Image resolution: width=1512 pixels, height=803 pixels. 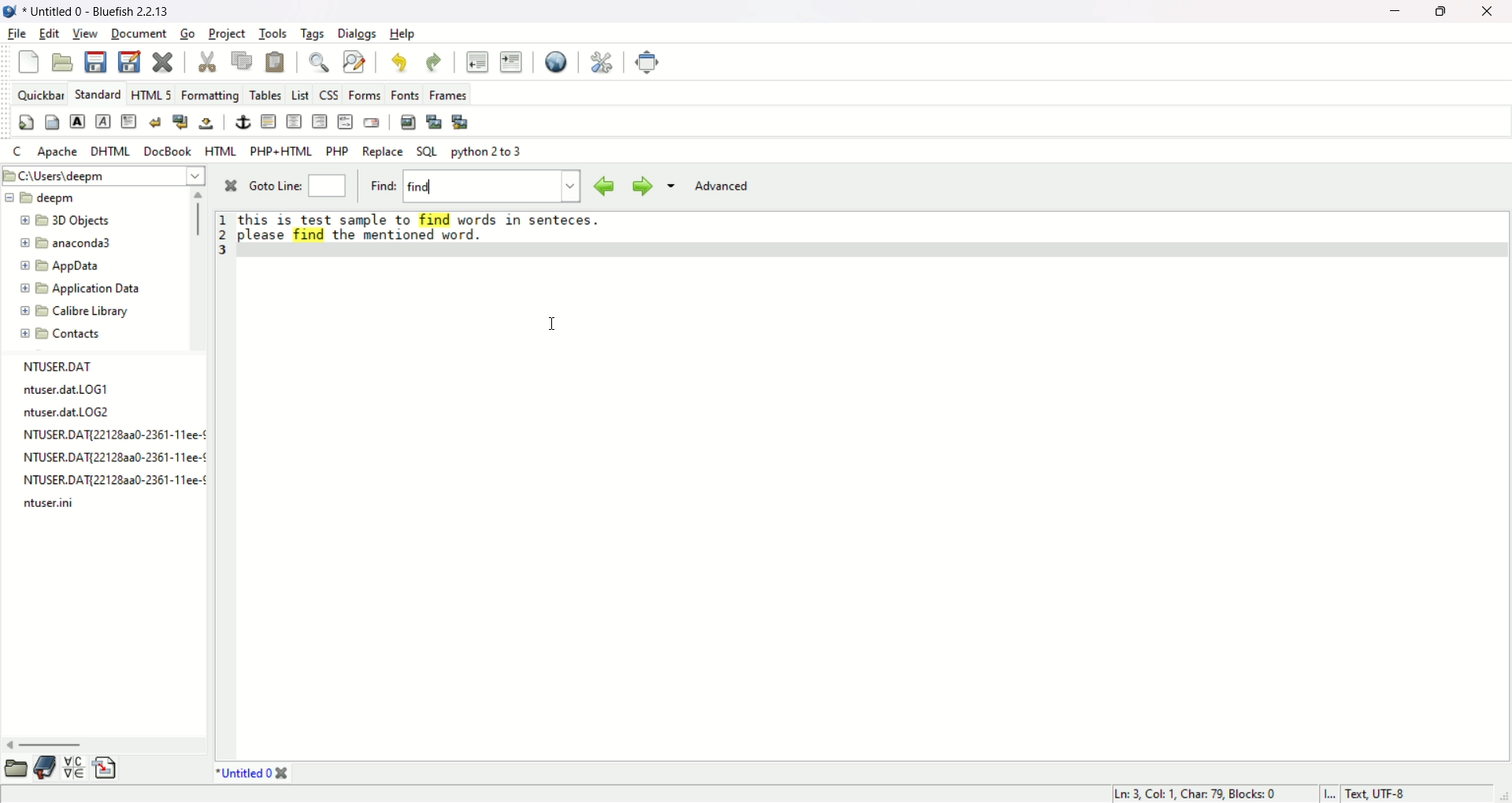 I want to click on tables, so click(x=265, y=93).